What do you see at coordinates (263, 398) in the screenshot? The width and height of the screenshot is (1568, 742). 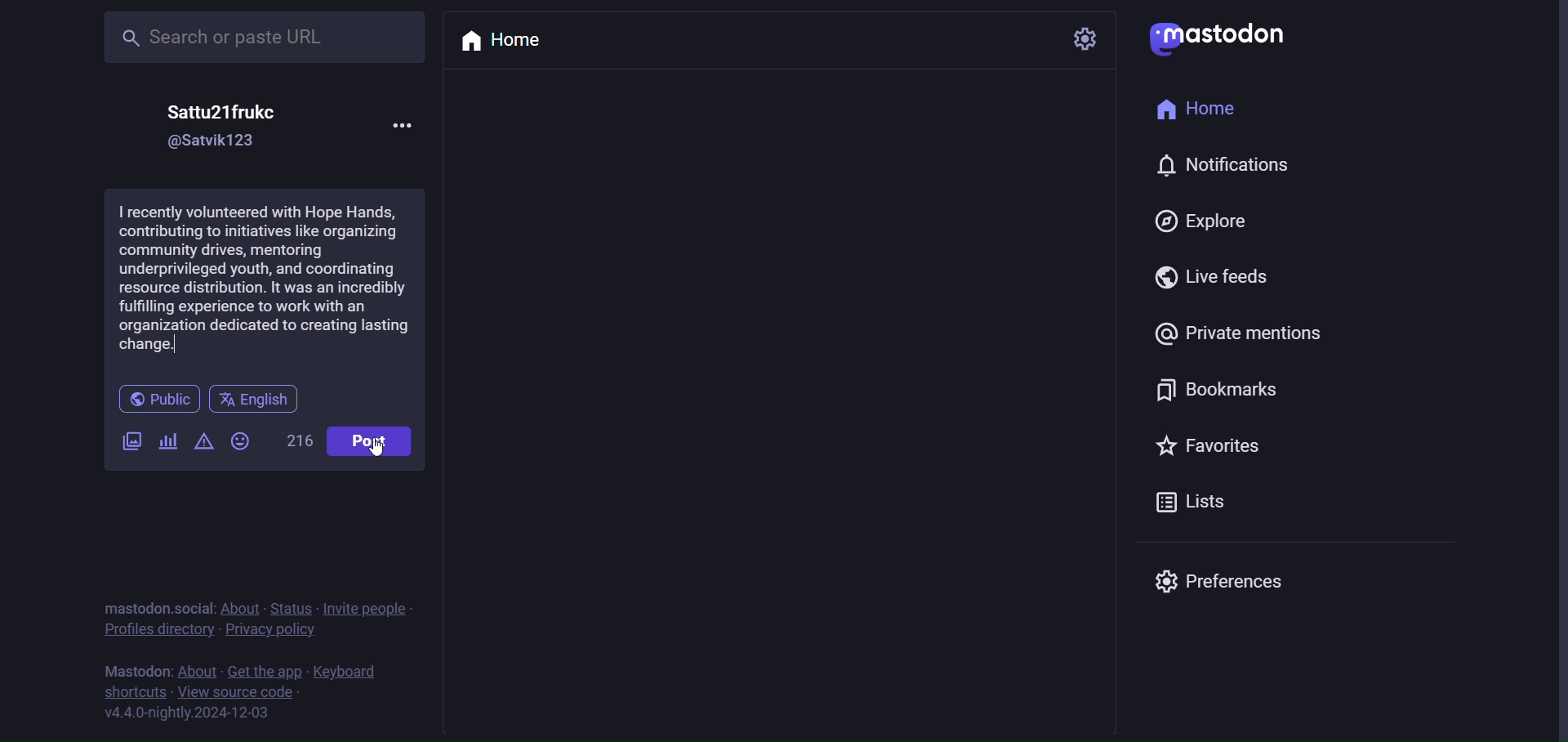 I see `English` at bounding box center [263, 398].